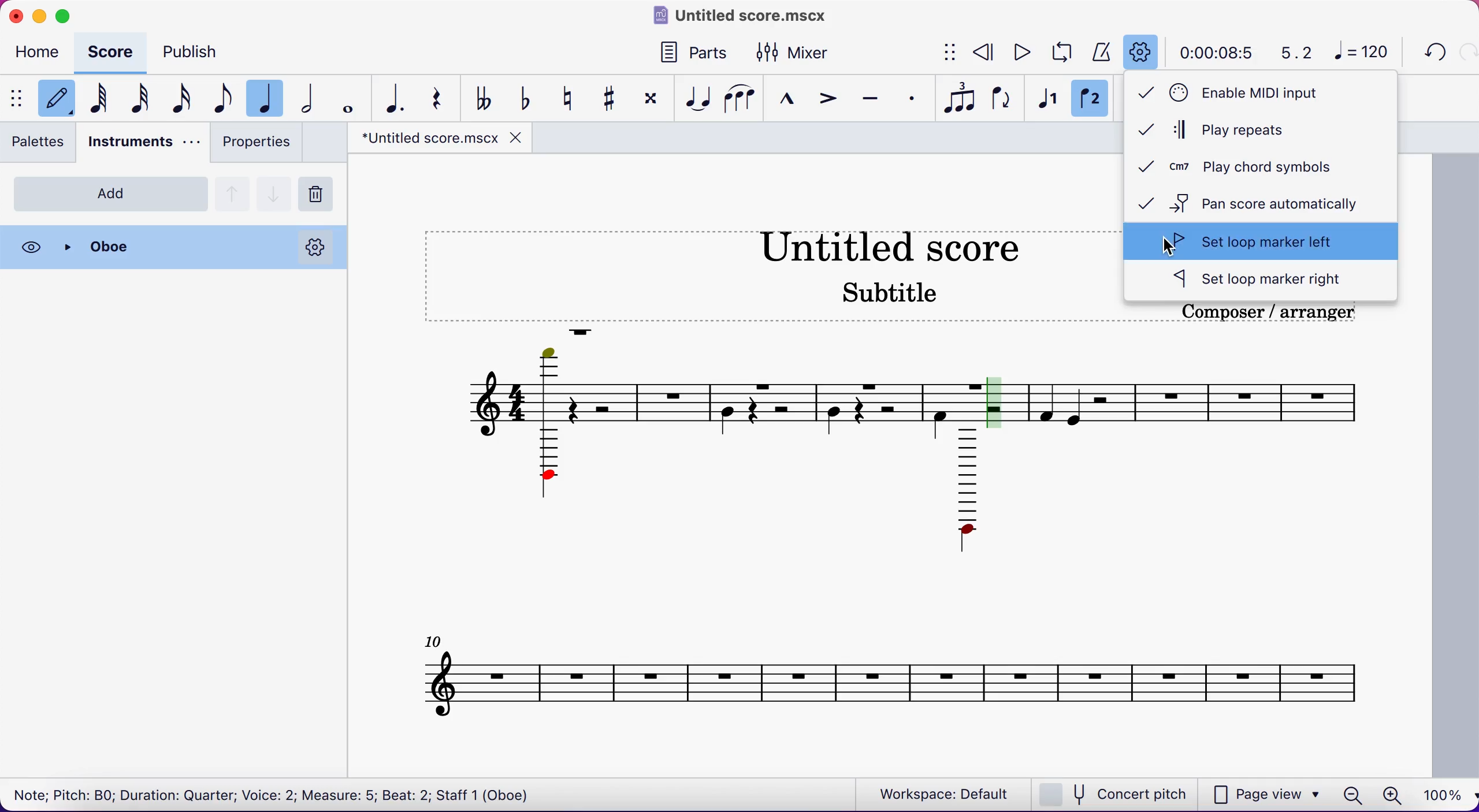 This screenshot has width=1479, height=812. What do you see at coordinates (142, 144) in the screenshot?
I see `instruments` at bounding box center [142, 144].